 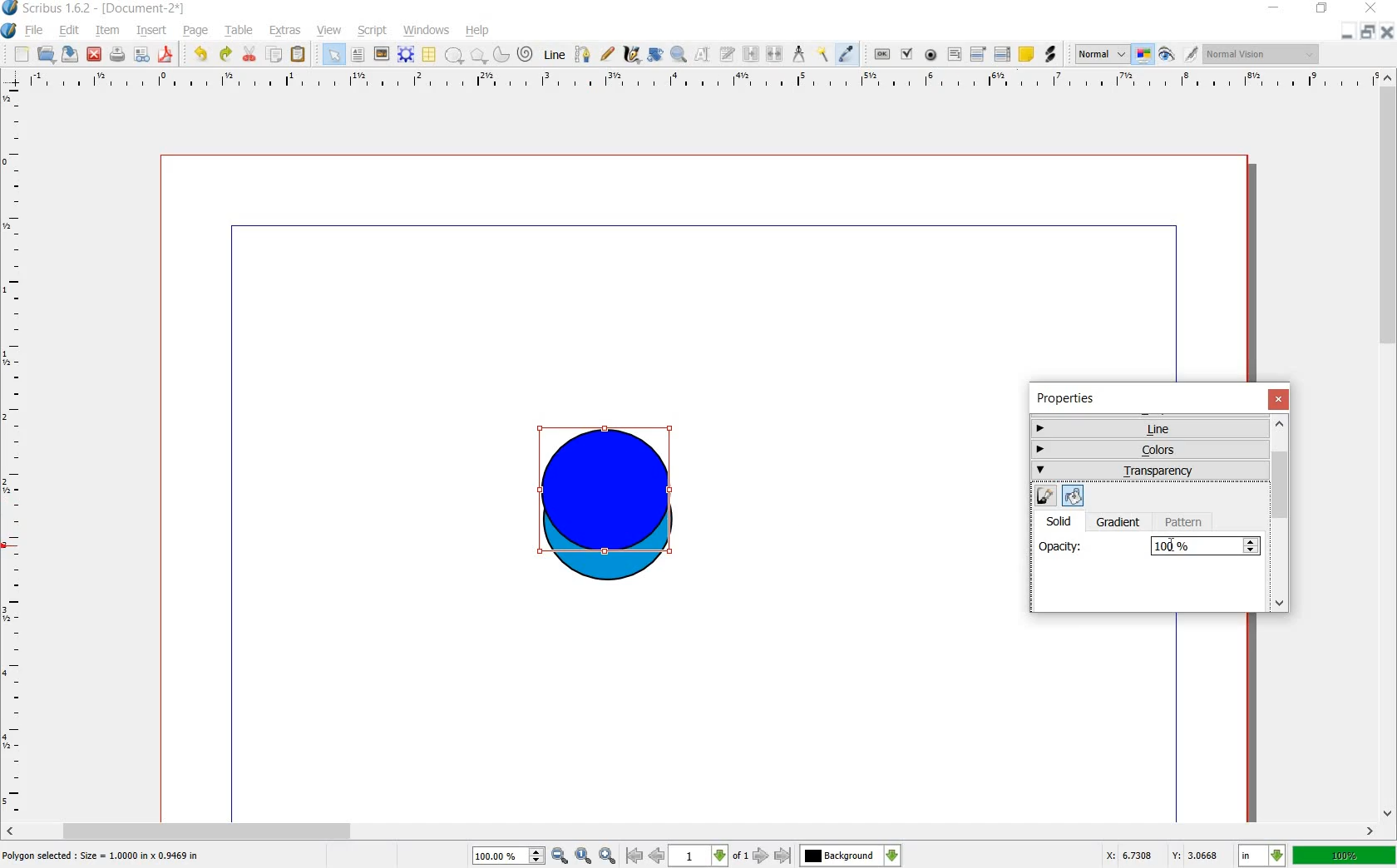 I want to click on file, so click(x=35, y=31).